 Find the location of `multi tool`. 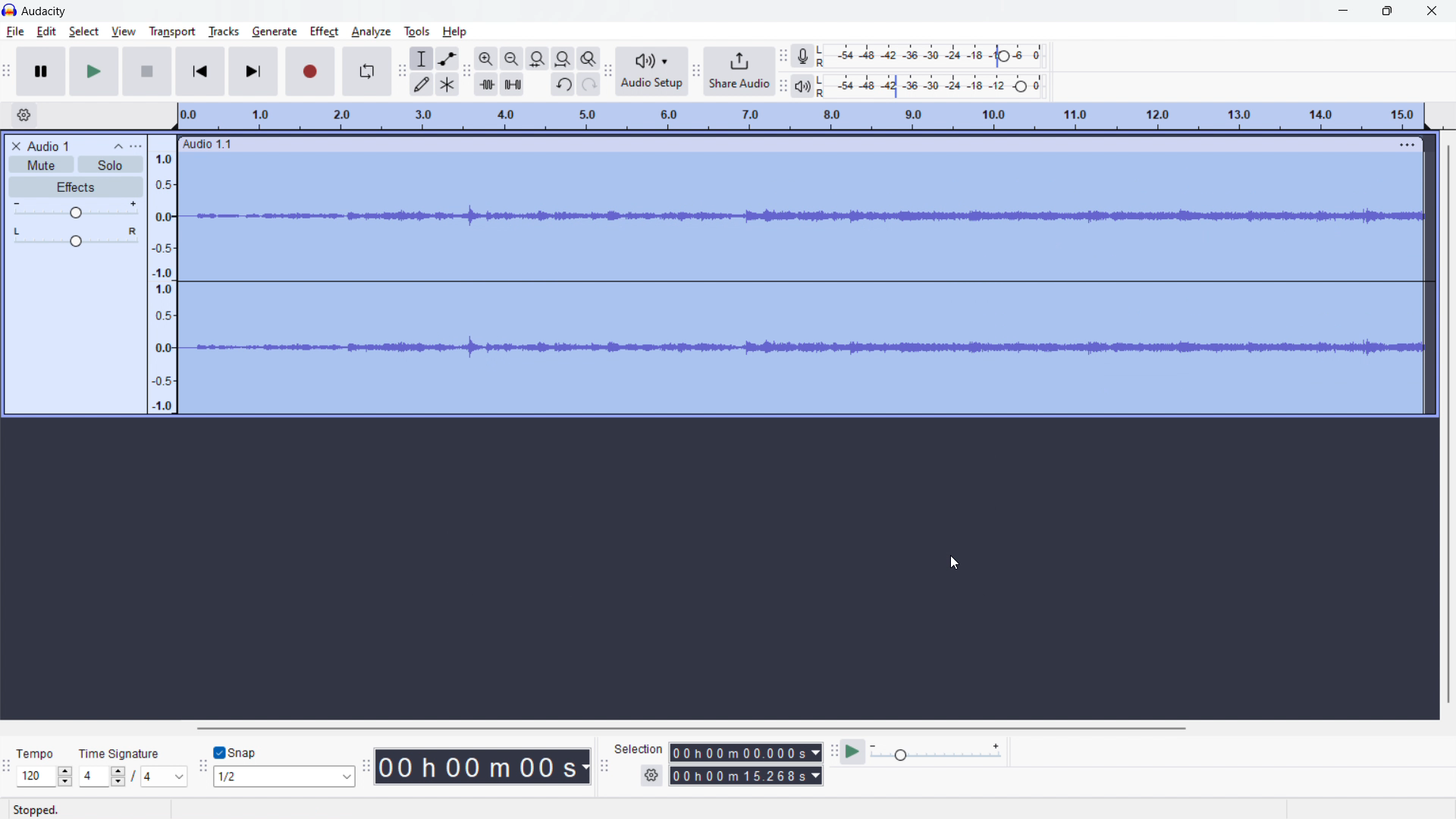

multi tool is located at coordinates (447, 85).